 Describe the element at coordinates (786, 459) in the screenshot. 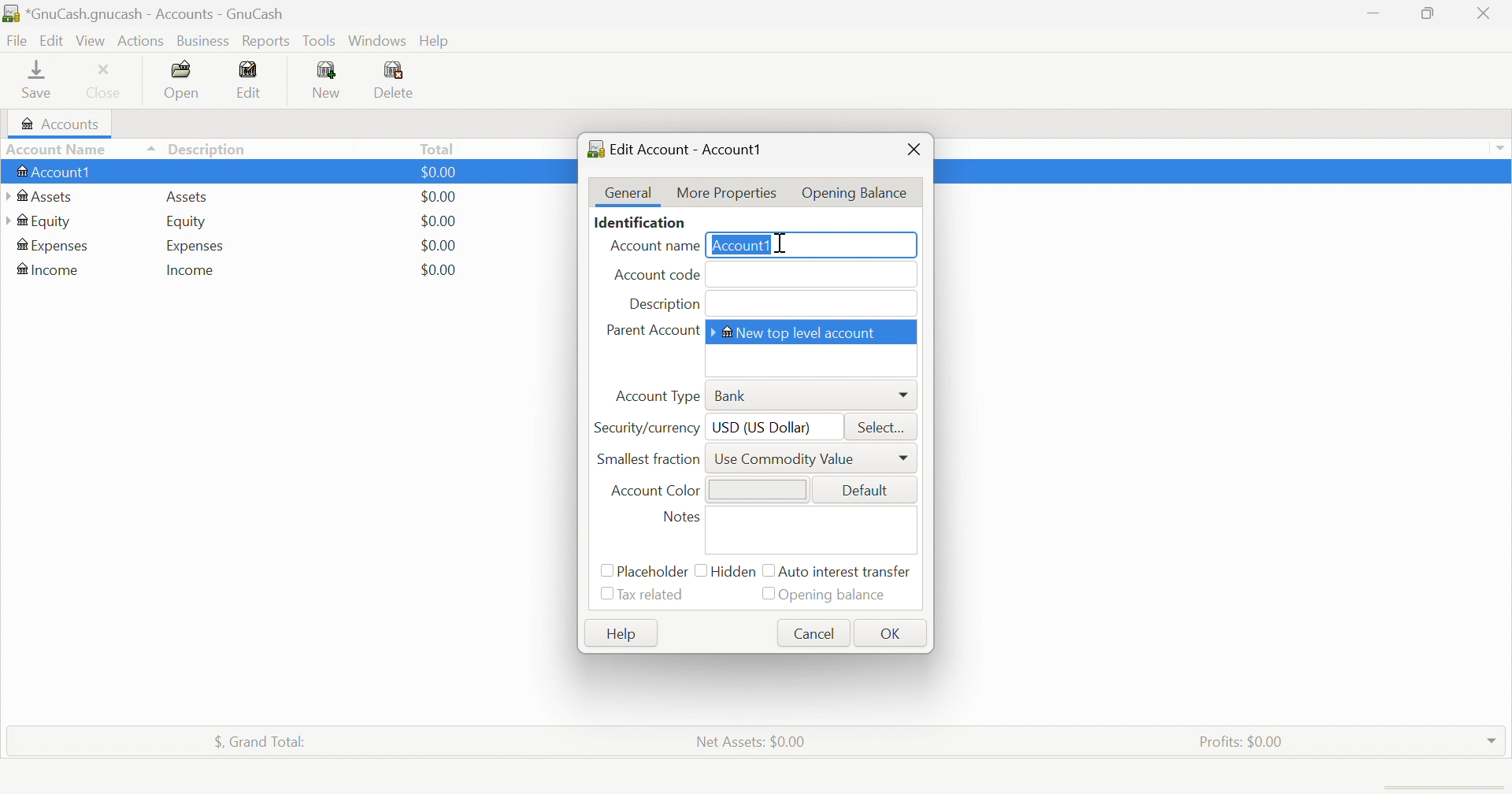

I see `Use Commodity Value` at that location.